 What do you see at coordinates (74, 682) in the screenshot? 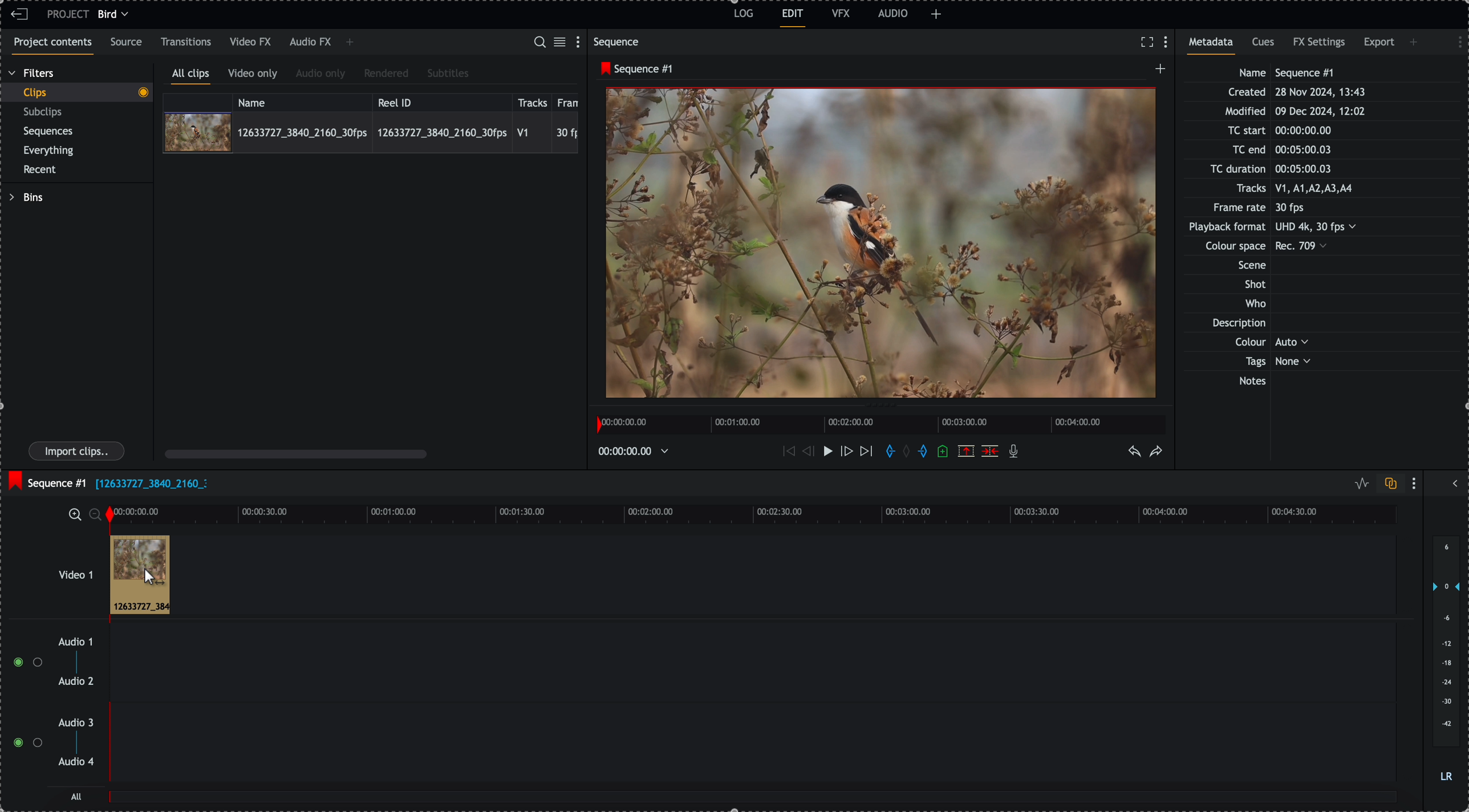
I see `audio 2` at bounding box center [74, 682].